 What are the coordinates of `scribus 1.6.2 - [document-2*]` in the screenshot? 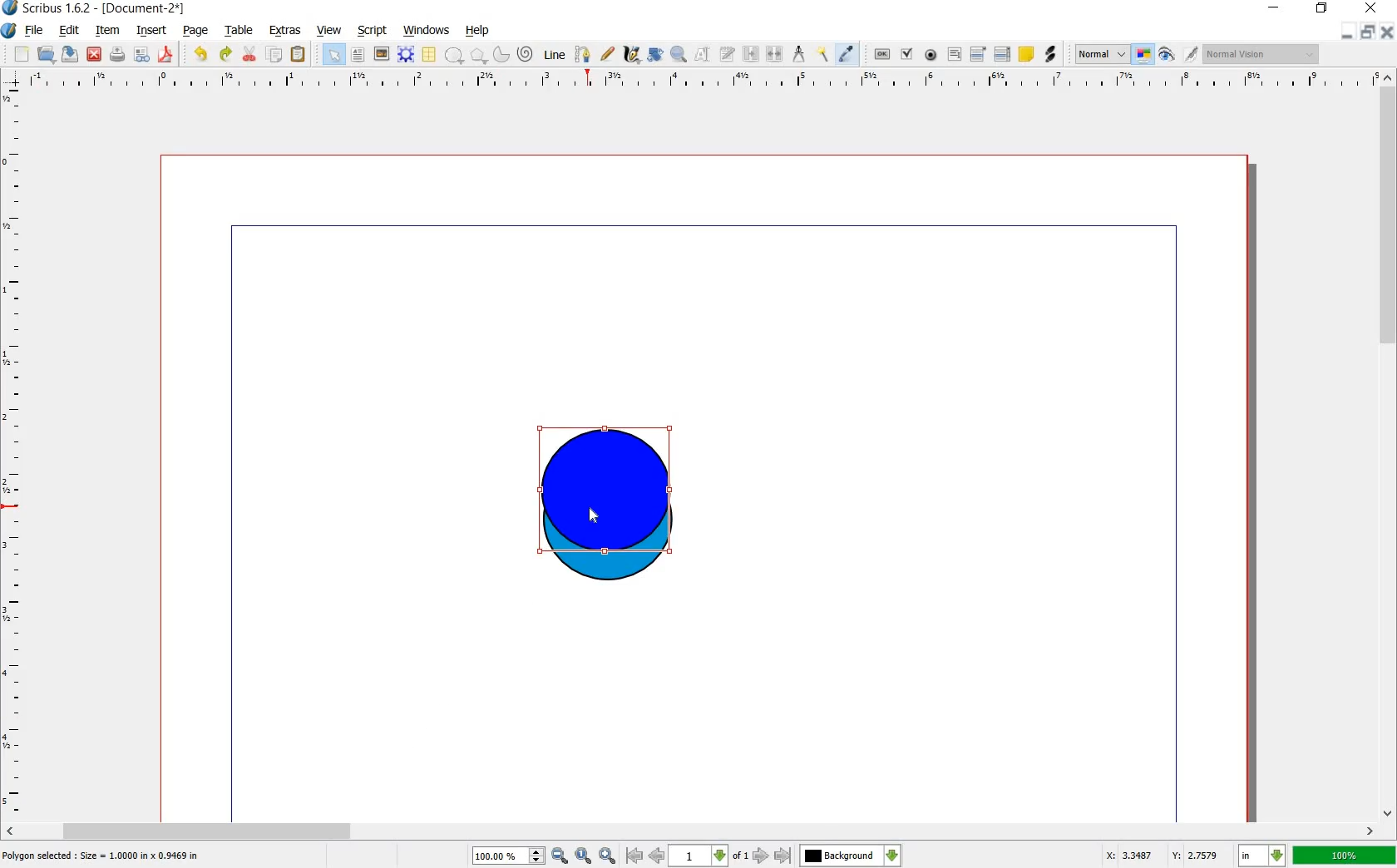 It's located at (106, 8).